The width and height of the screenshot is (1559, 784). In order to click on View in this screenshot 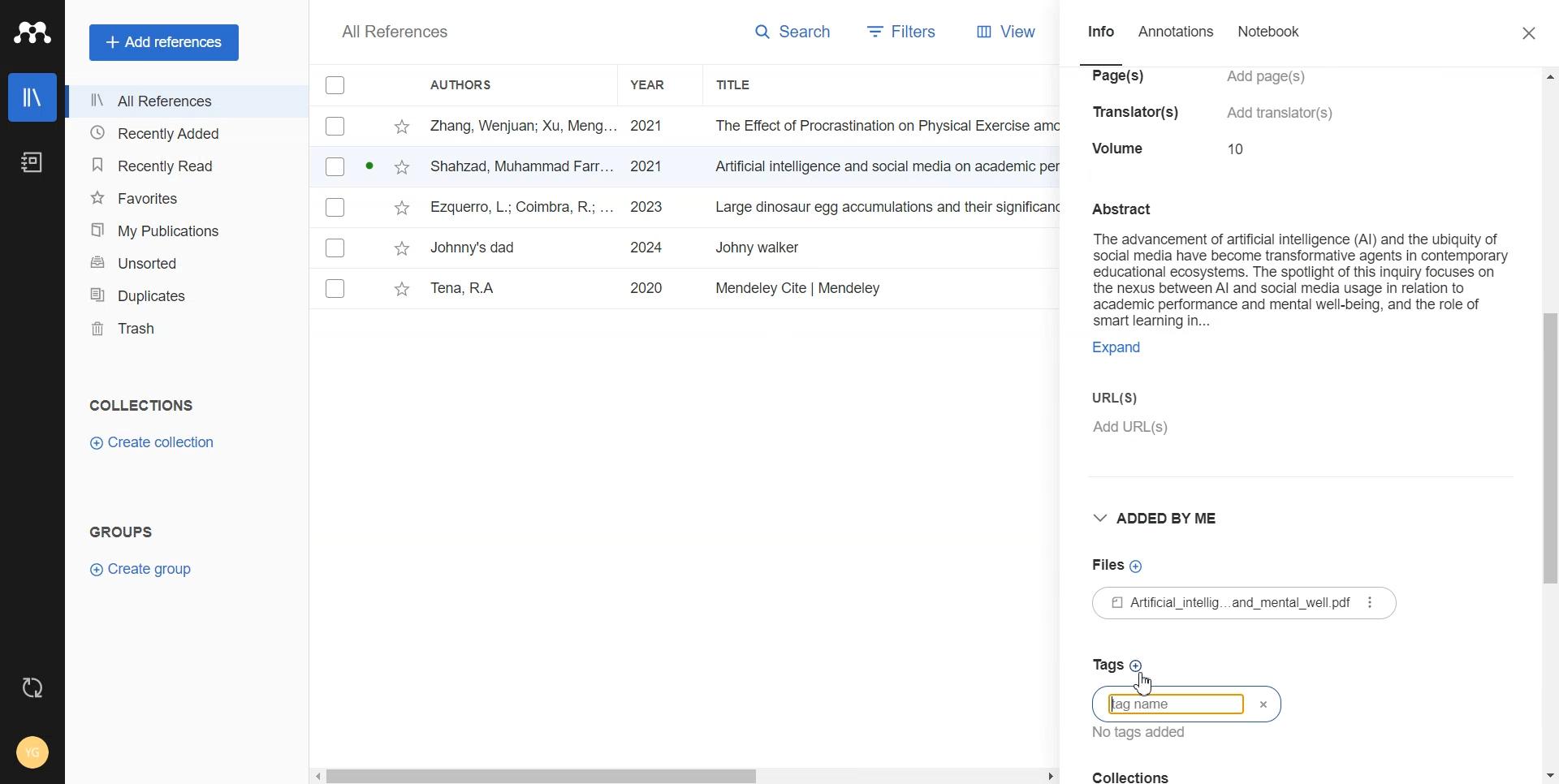, I will do `click(995, 32)`.